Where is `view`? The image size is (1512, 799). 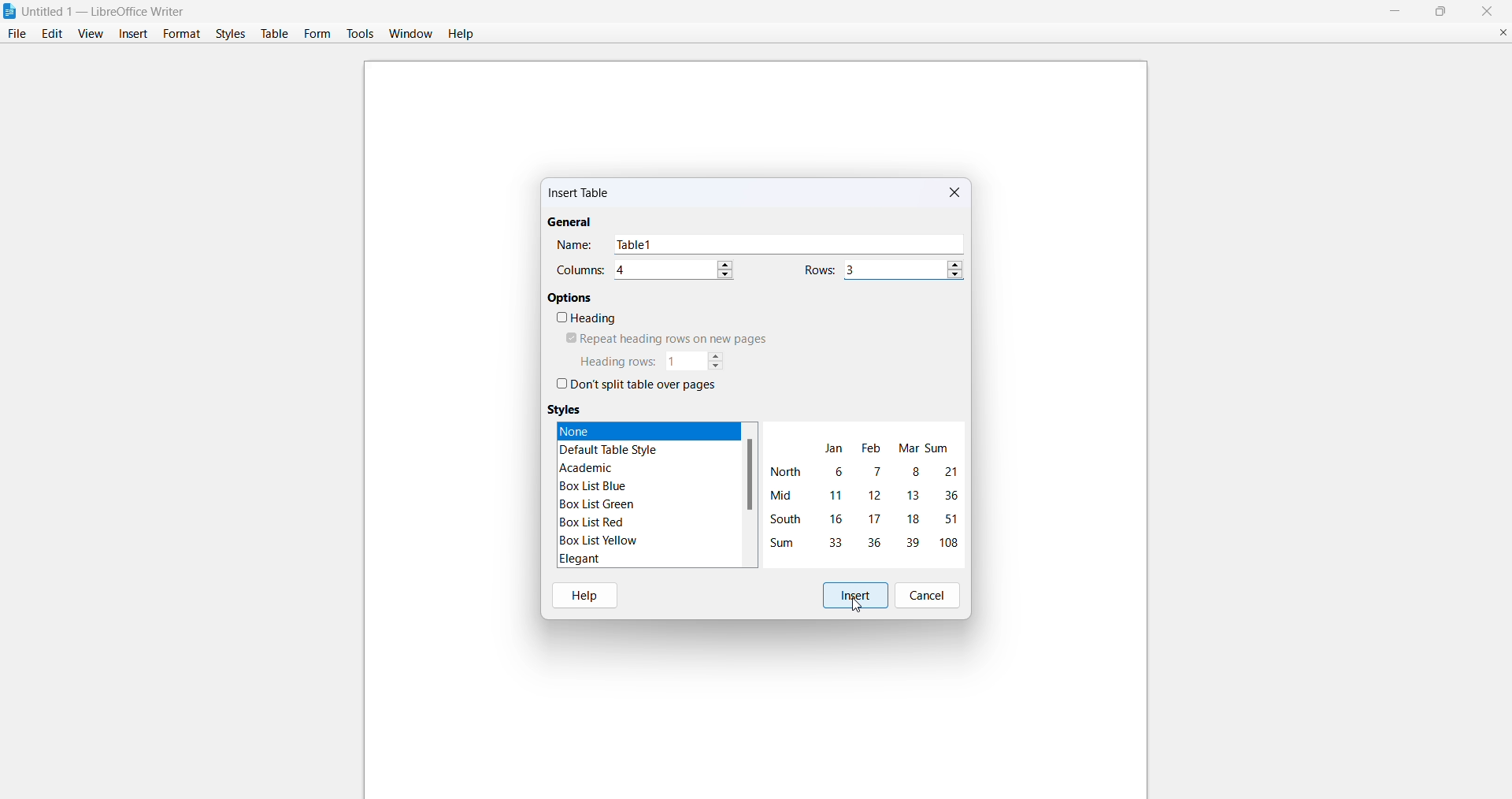
view is located at coordinates (90, 33).